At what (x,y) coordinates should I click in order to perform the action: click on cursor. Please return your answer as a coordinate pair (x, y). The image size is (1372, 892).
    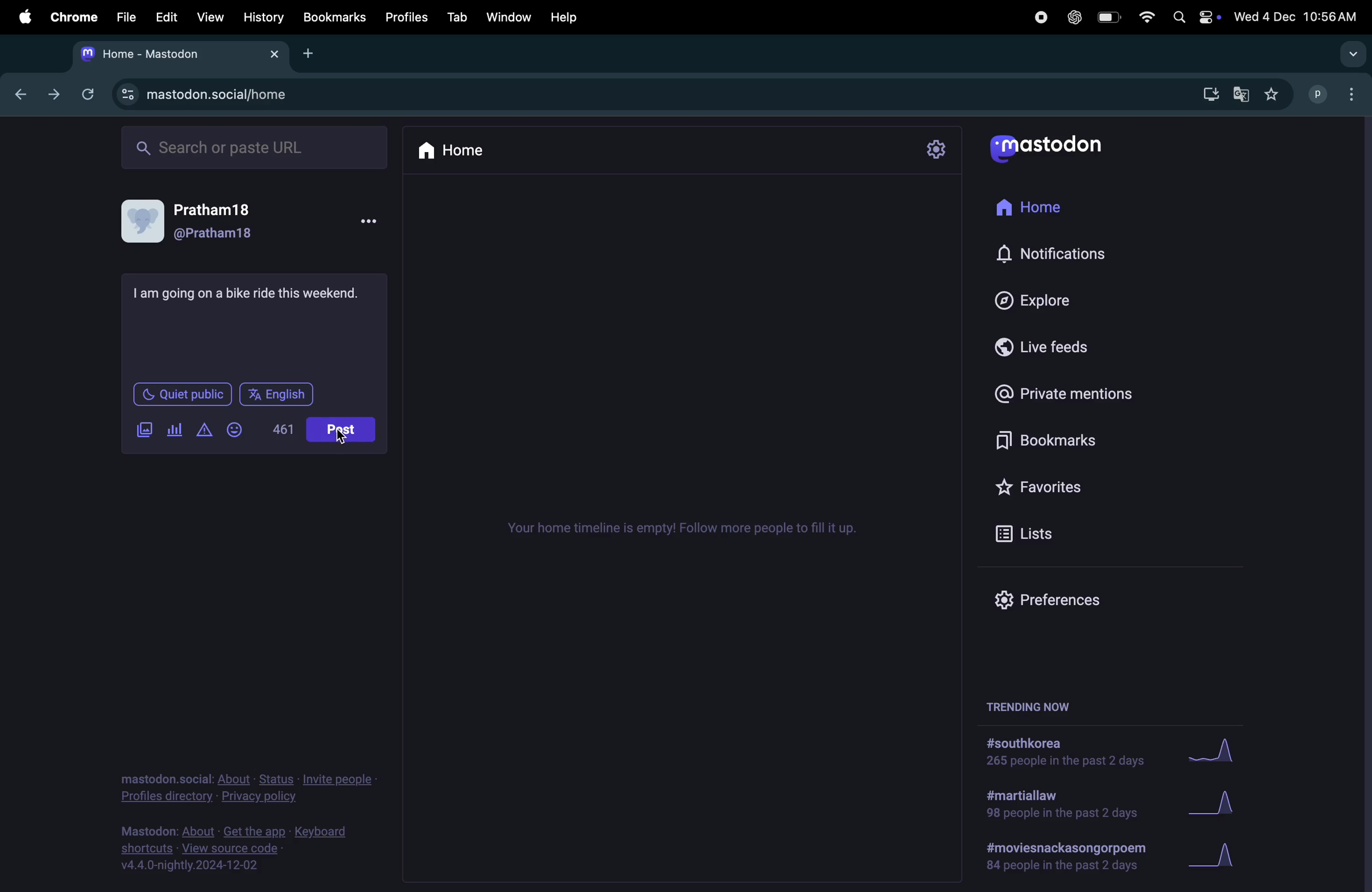
    Looking at the image, I should click on (344, 439).